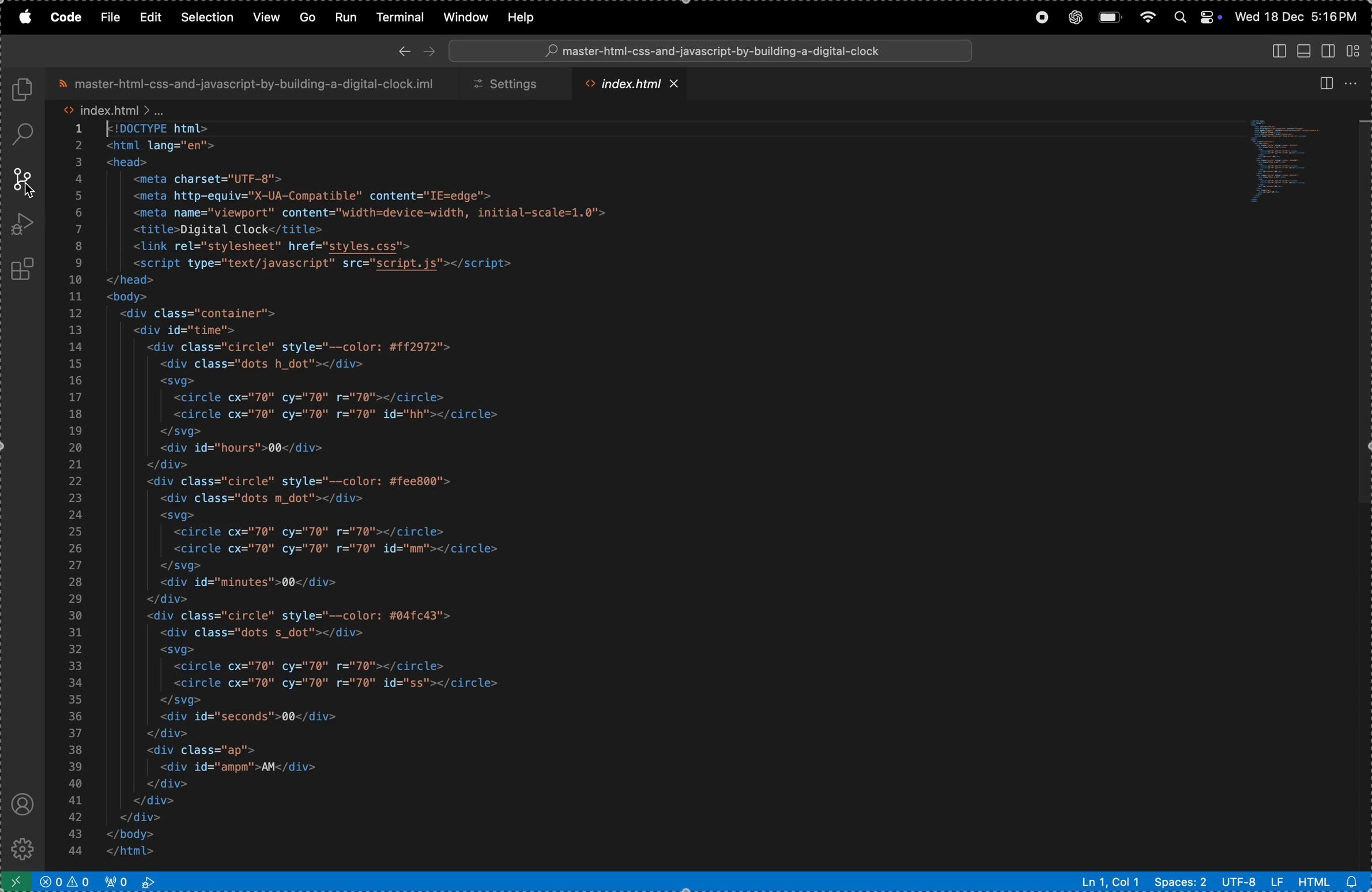 The width and height of the screenshot is (1372, 892). Describe the element at coordinates (1352, 82) in the screenshot. I see `options` at that location.